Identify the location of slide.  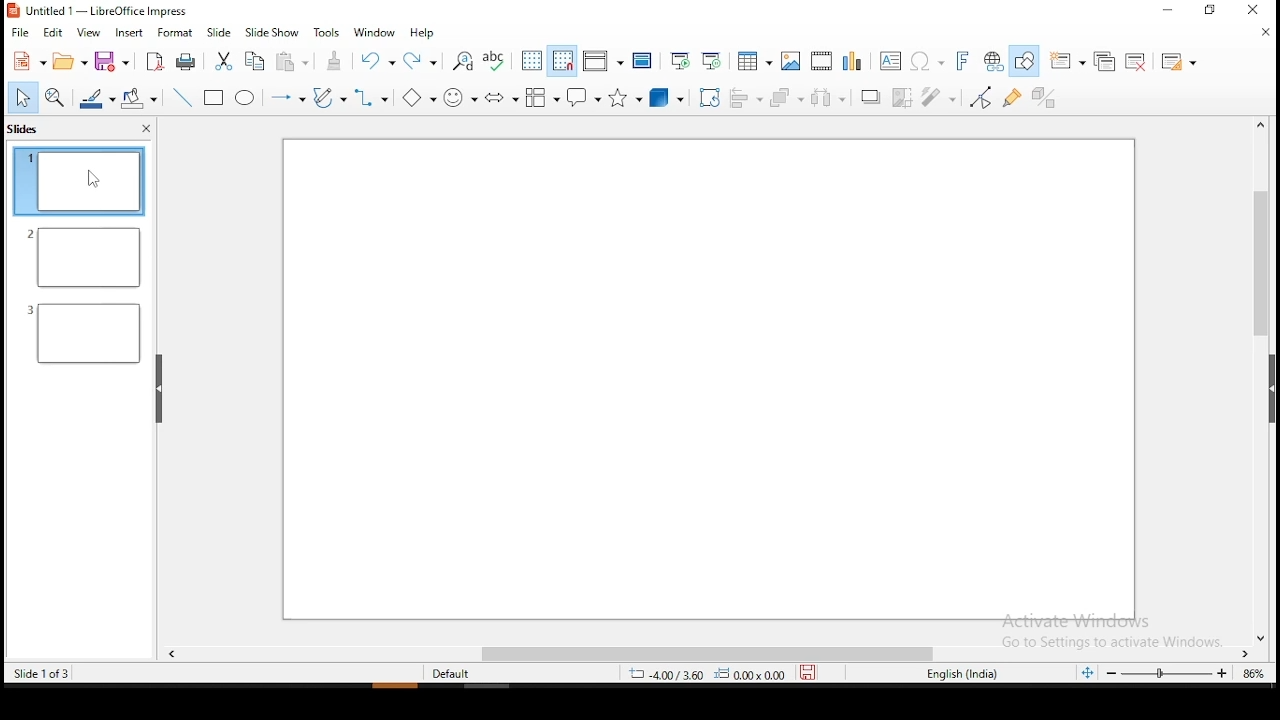
(708, 378).